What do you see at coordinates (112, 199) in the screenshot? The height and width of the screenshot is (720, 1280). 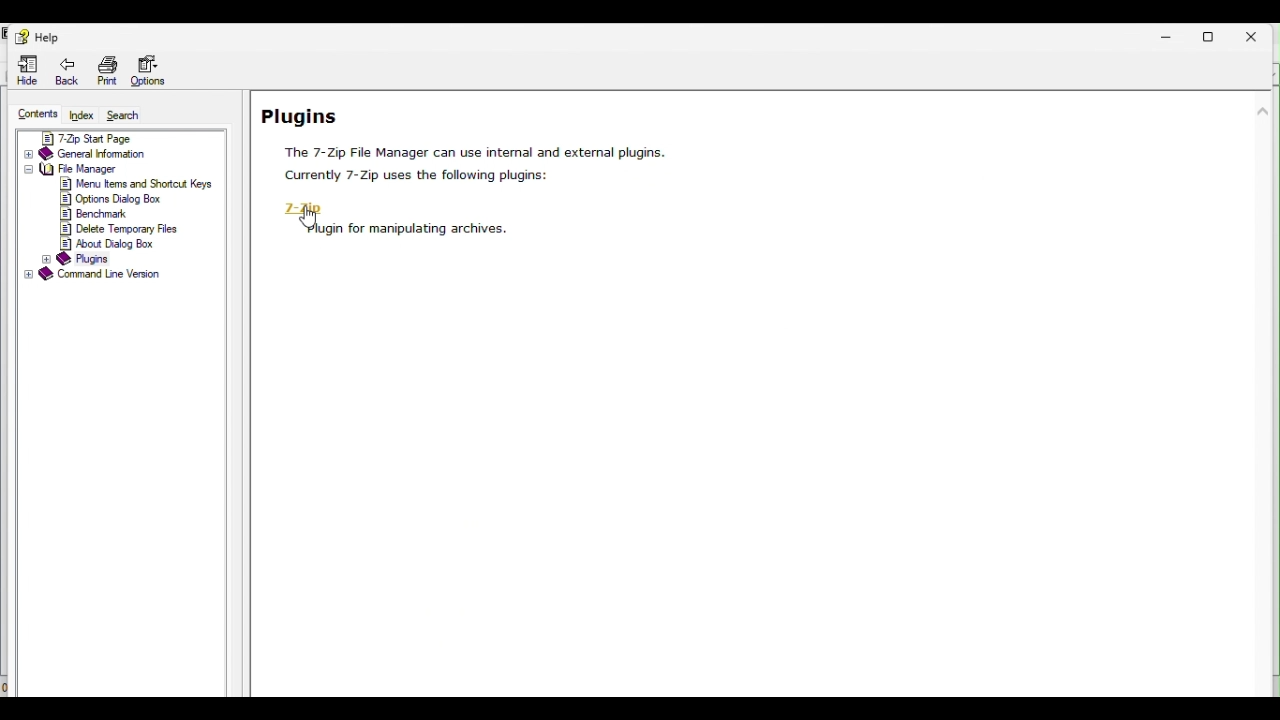 I see `options` at bounding box center [112, 199].